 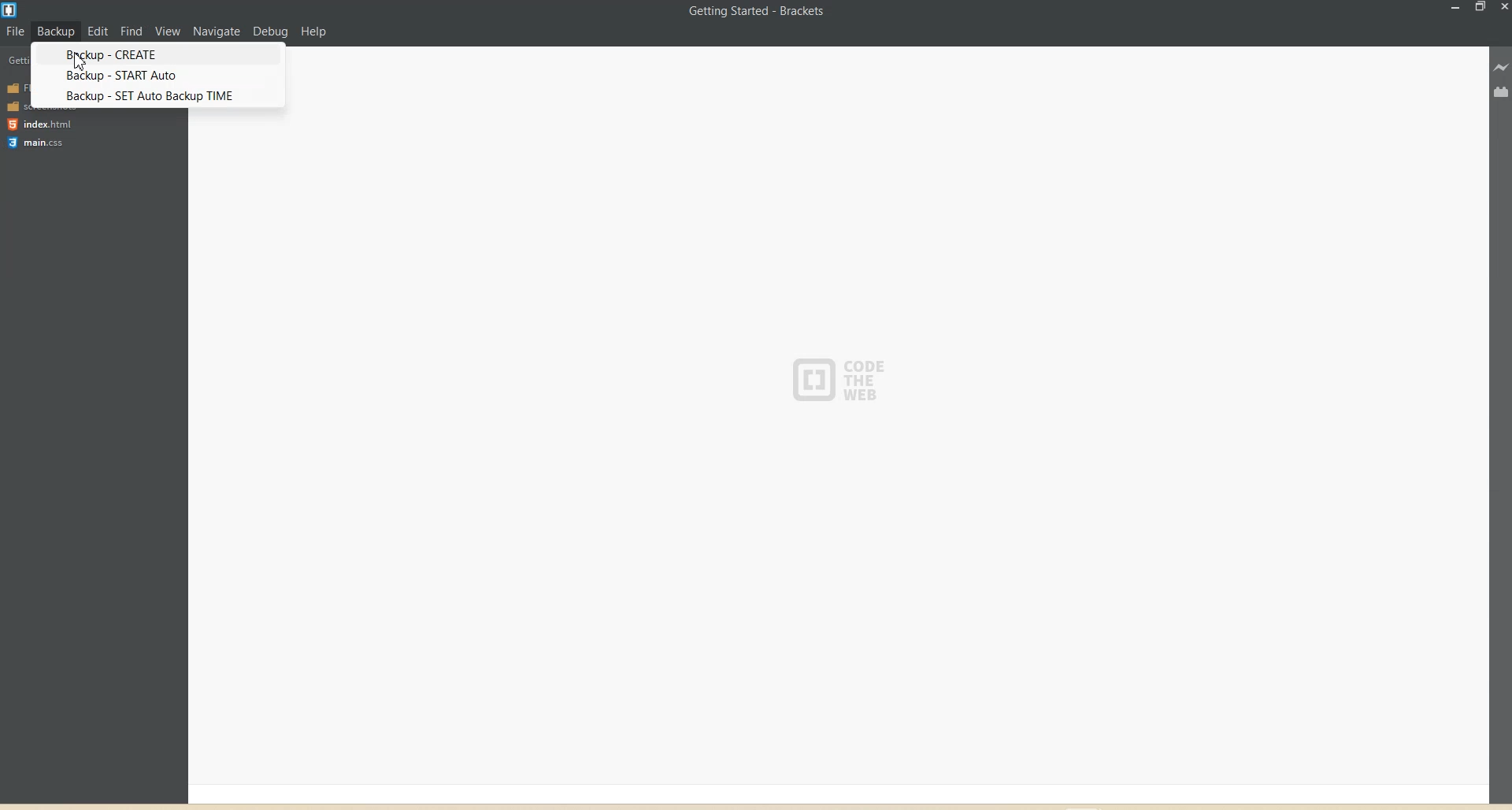 What do you see at coordinates (1457, 8) in the screenshot?
I see `Minimize` at bounding box center [1457, 8].